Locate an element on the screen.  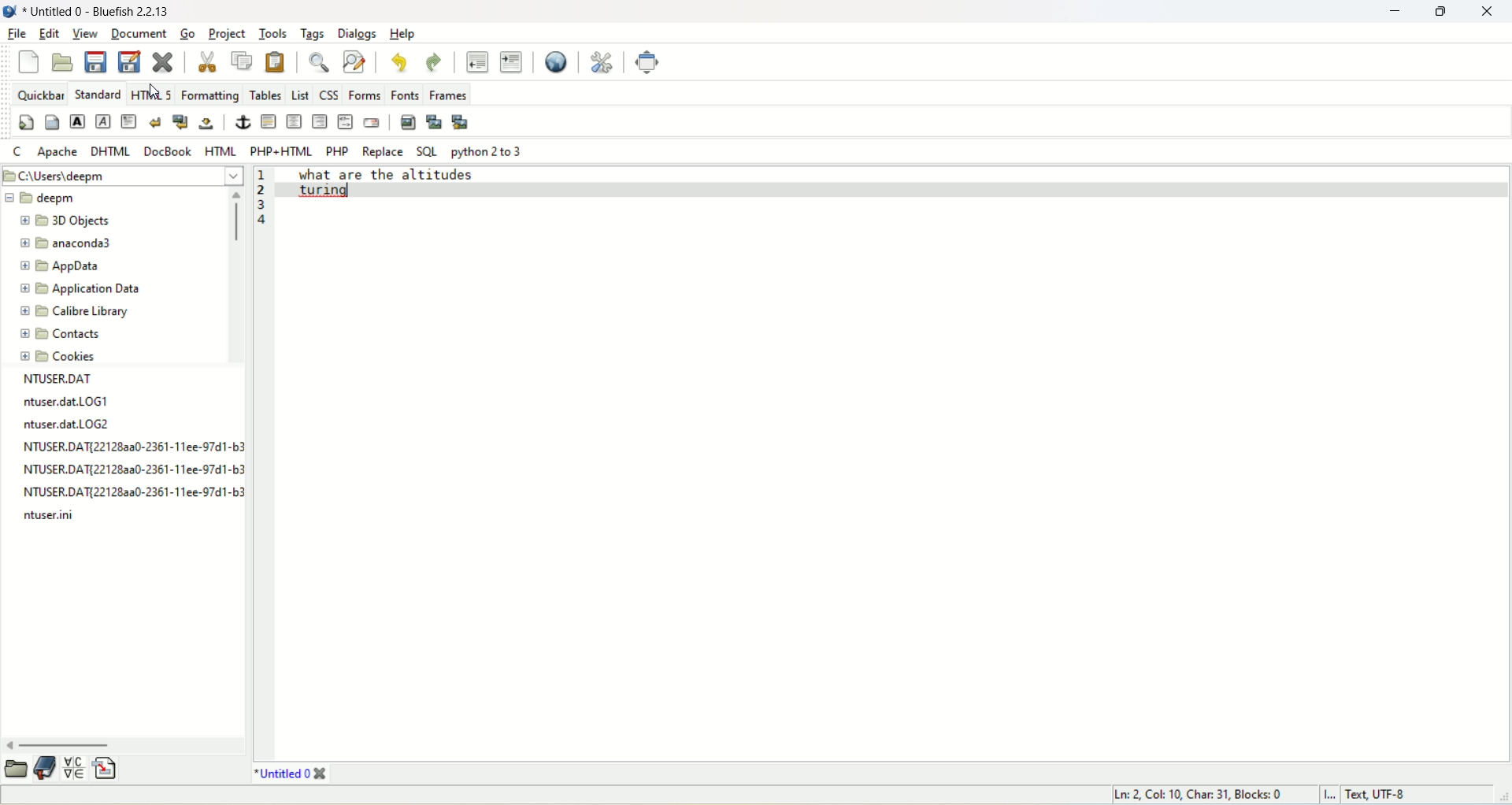
Apache is located at coordinates (59, 151).